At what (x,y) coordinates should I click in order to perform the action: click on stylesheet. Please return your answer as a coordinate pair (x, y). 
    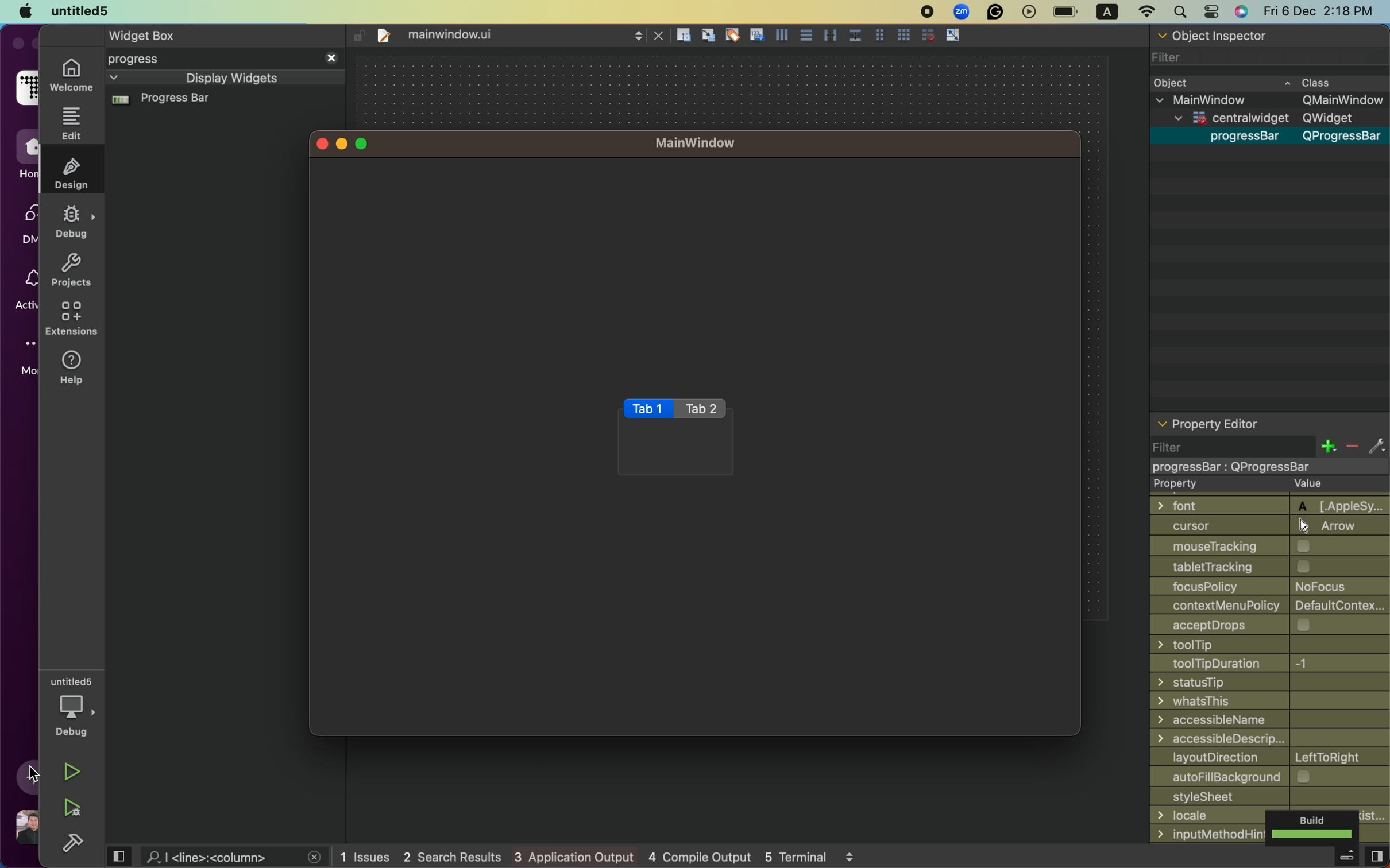
    Looking at the image, I should click on (1269, 799).